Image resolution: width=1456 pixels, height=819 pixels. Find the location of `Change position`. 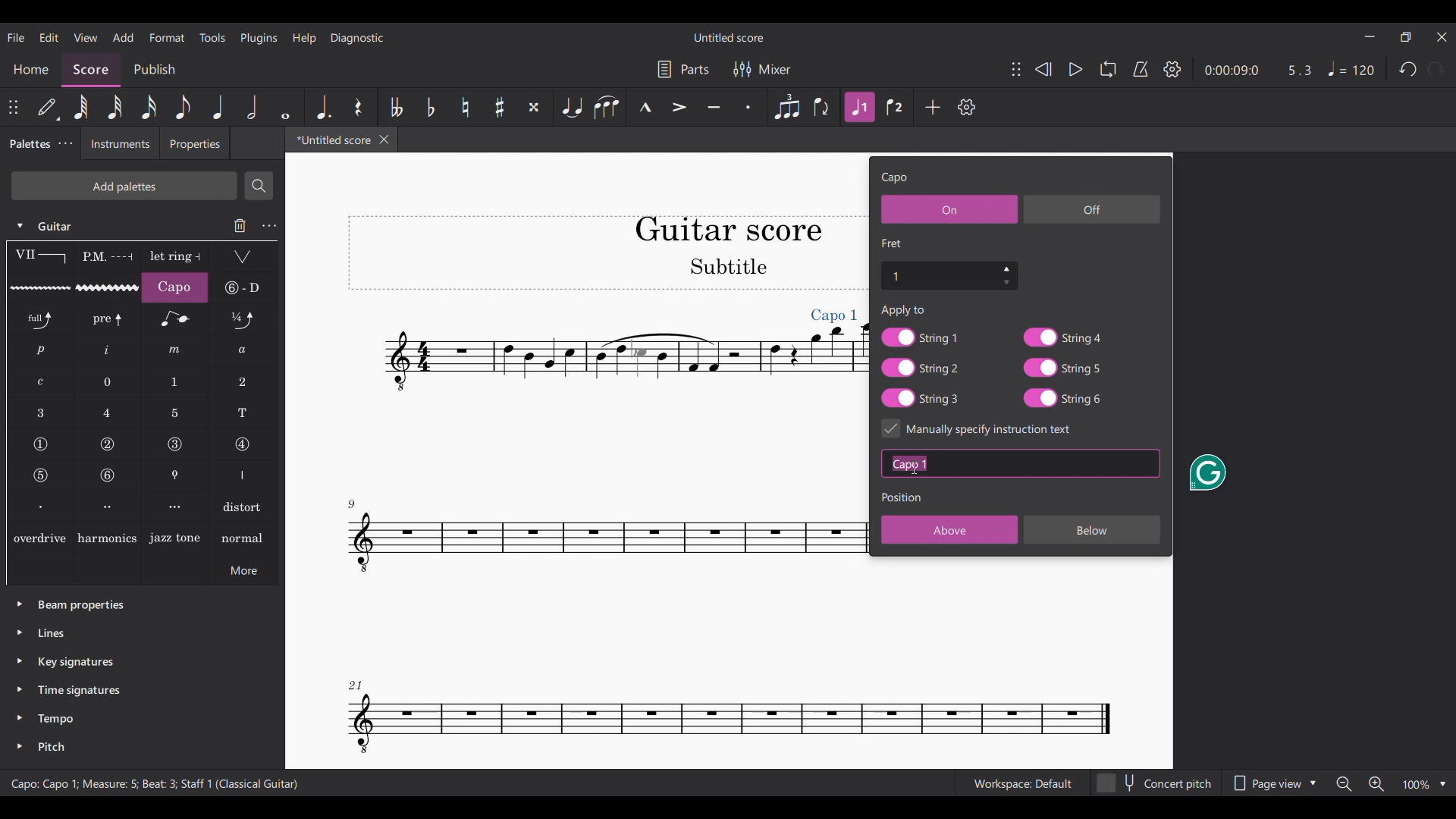

Change position is located at coordinates (13, 107).